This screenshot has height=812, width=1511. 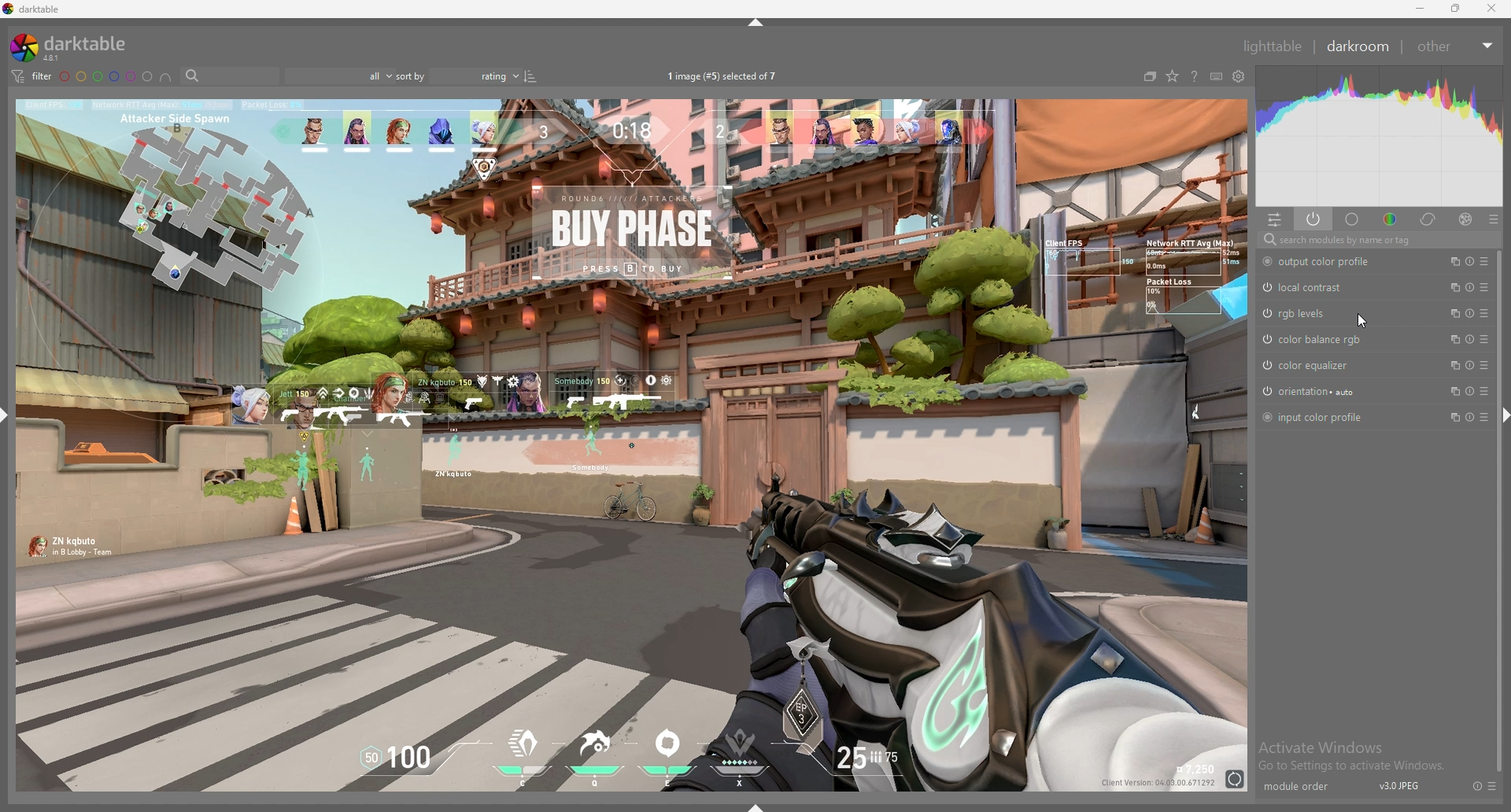 I want to click on multiple instances action, so click(x=1452, y=312).